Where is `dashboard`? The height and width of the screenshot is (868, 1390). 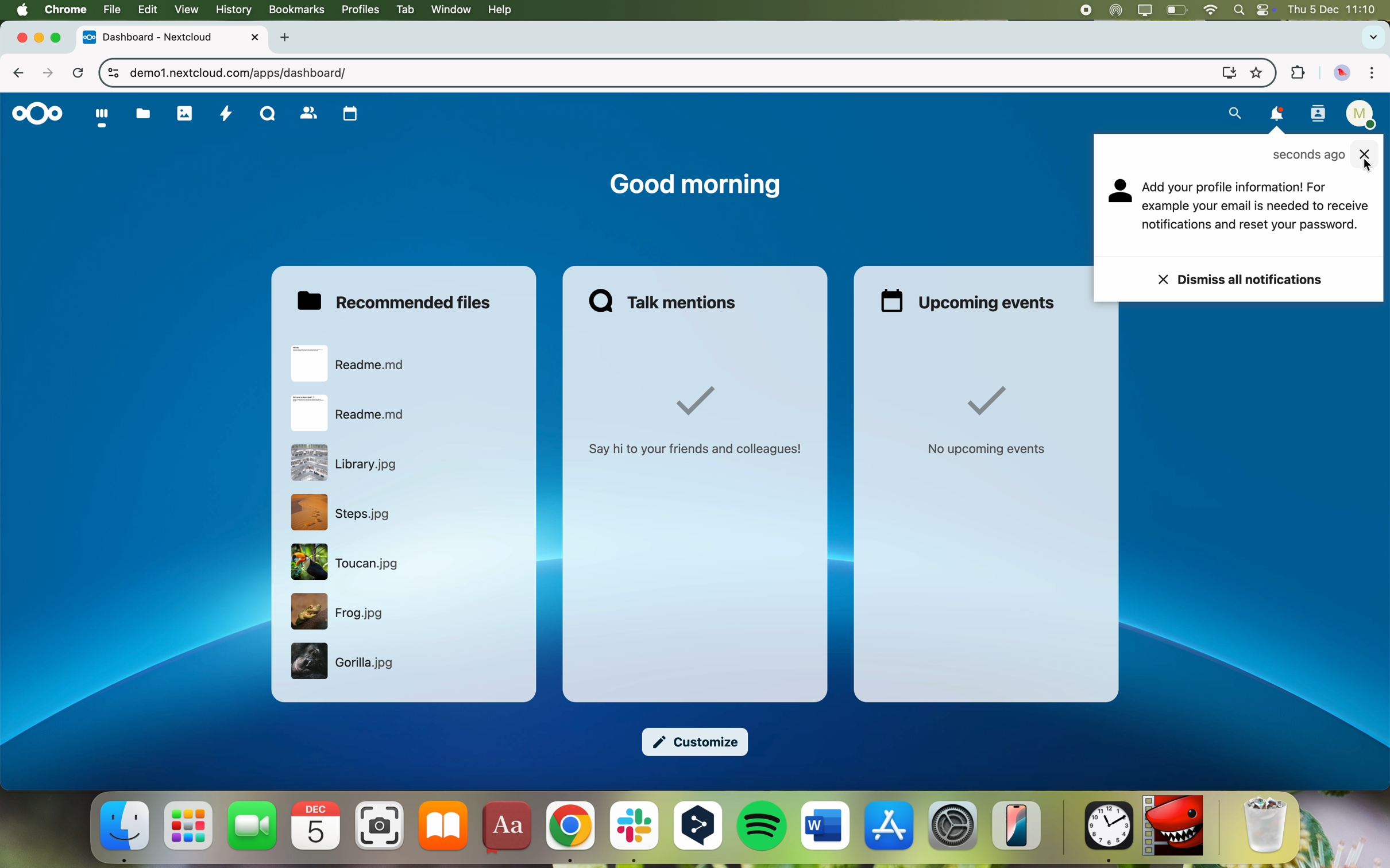
dashboard is located at coordinates (100, 118).